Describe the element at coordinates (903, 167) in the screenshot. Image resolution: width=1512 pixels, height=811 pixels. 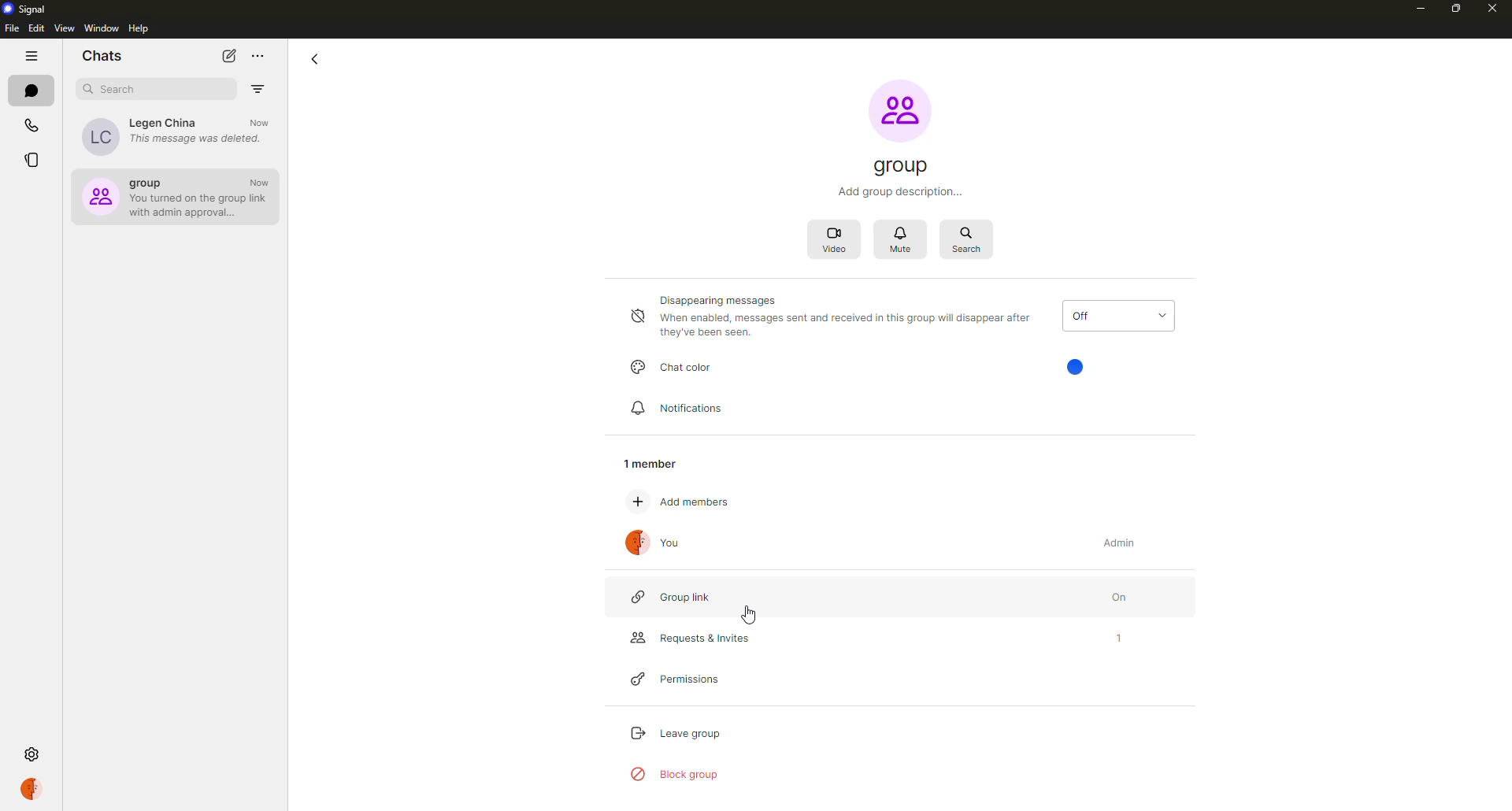
I see `group` at that location.